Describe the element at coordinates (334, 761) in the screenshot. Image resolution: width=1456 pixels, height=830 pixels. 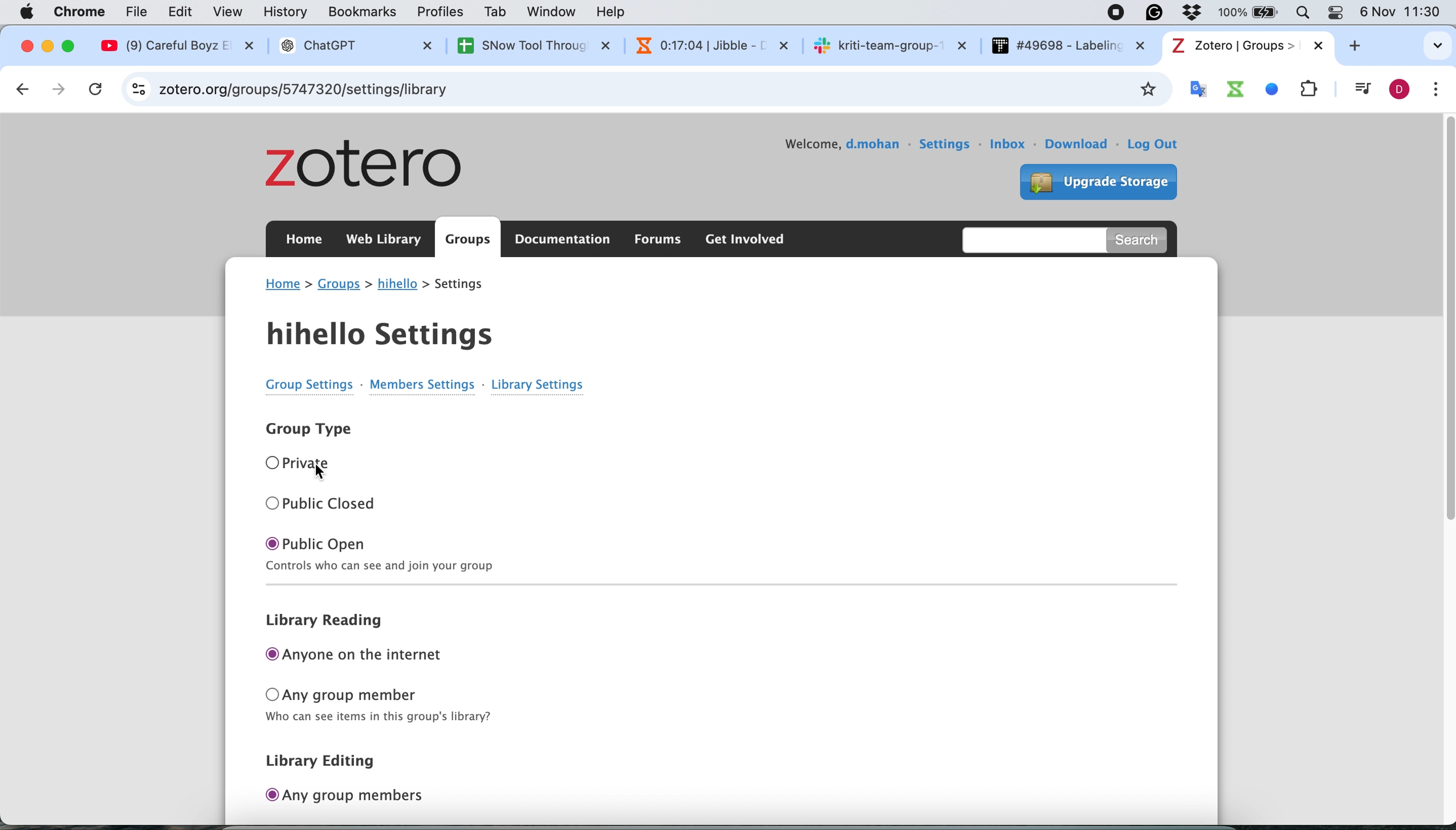
I see `library editing` at that location.